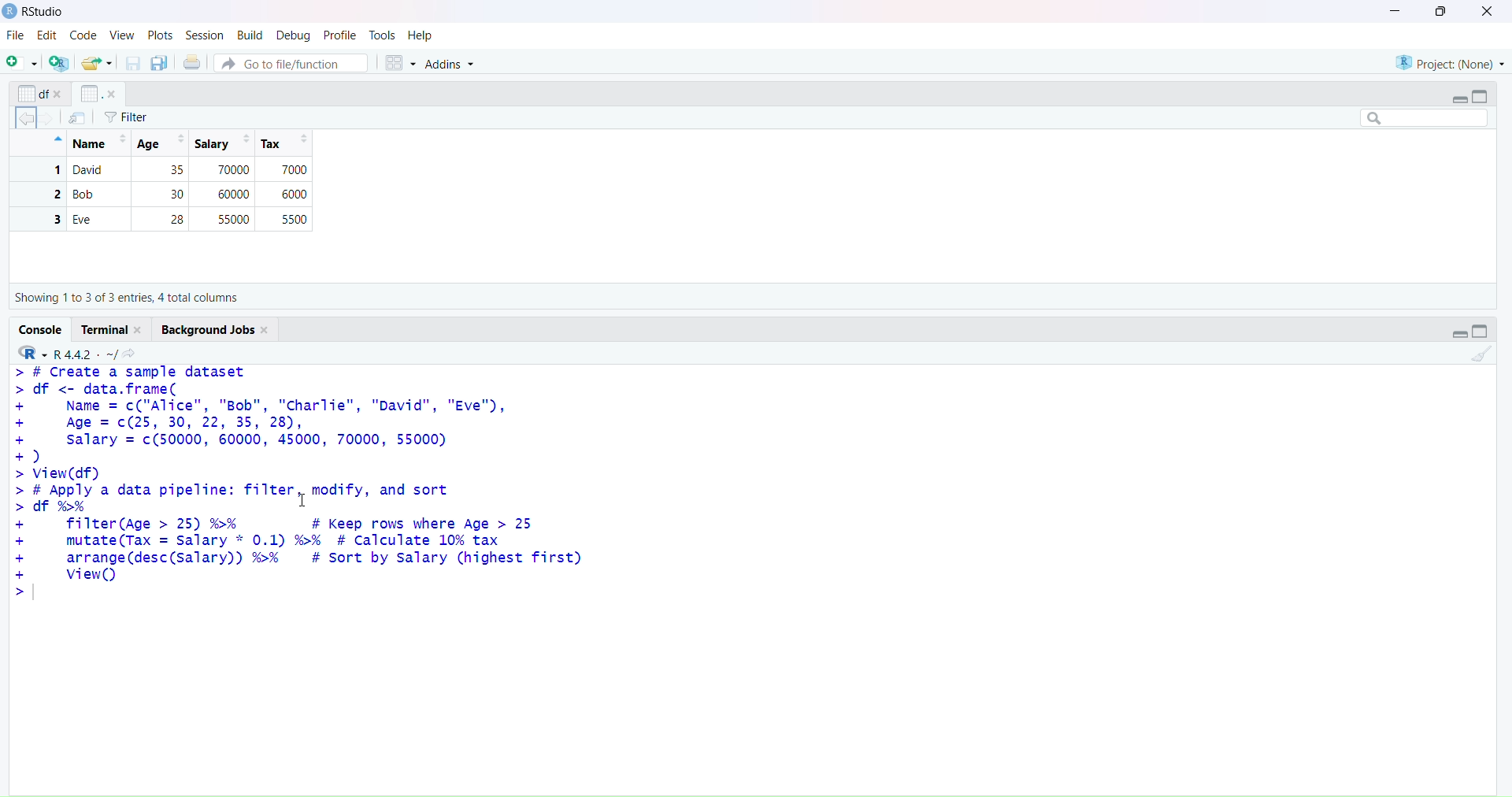 Image resolution: width=1512 pixels, height=797 pixels. I want to click on x, so click(98, 94).